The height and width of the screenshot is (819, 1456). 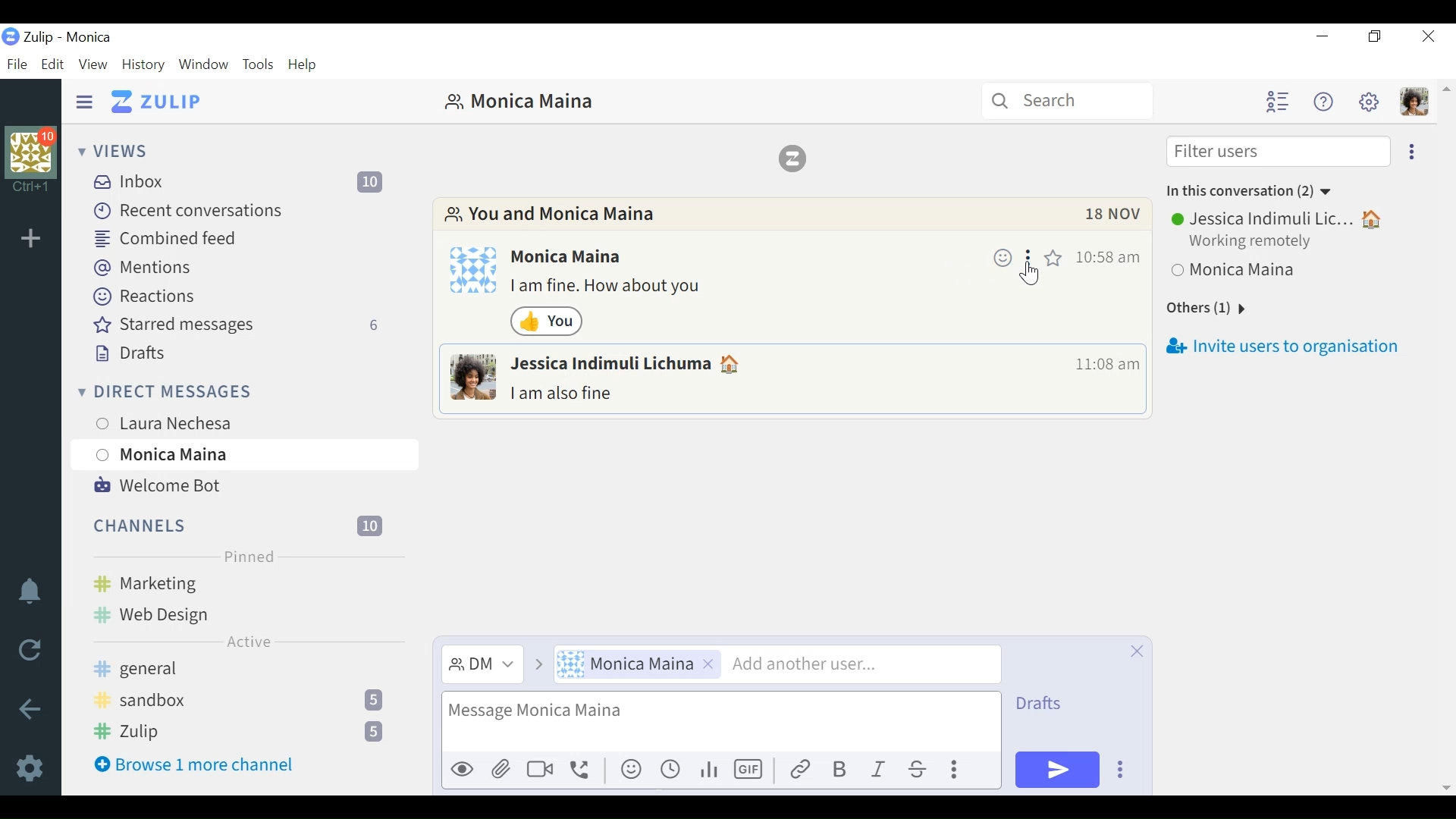 I want to click on I am also fine, so click(x=566, y=394).